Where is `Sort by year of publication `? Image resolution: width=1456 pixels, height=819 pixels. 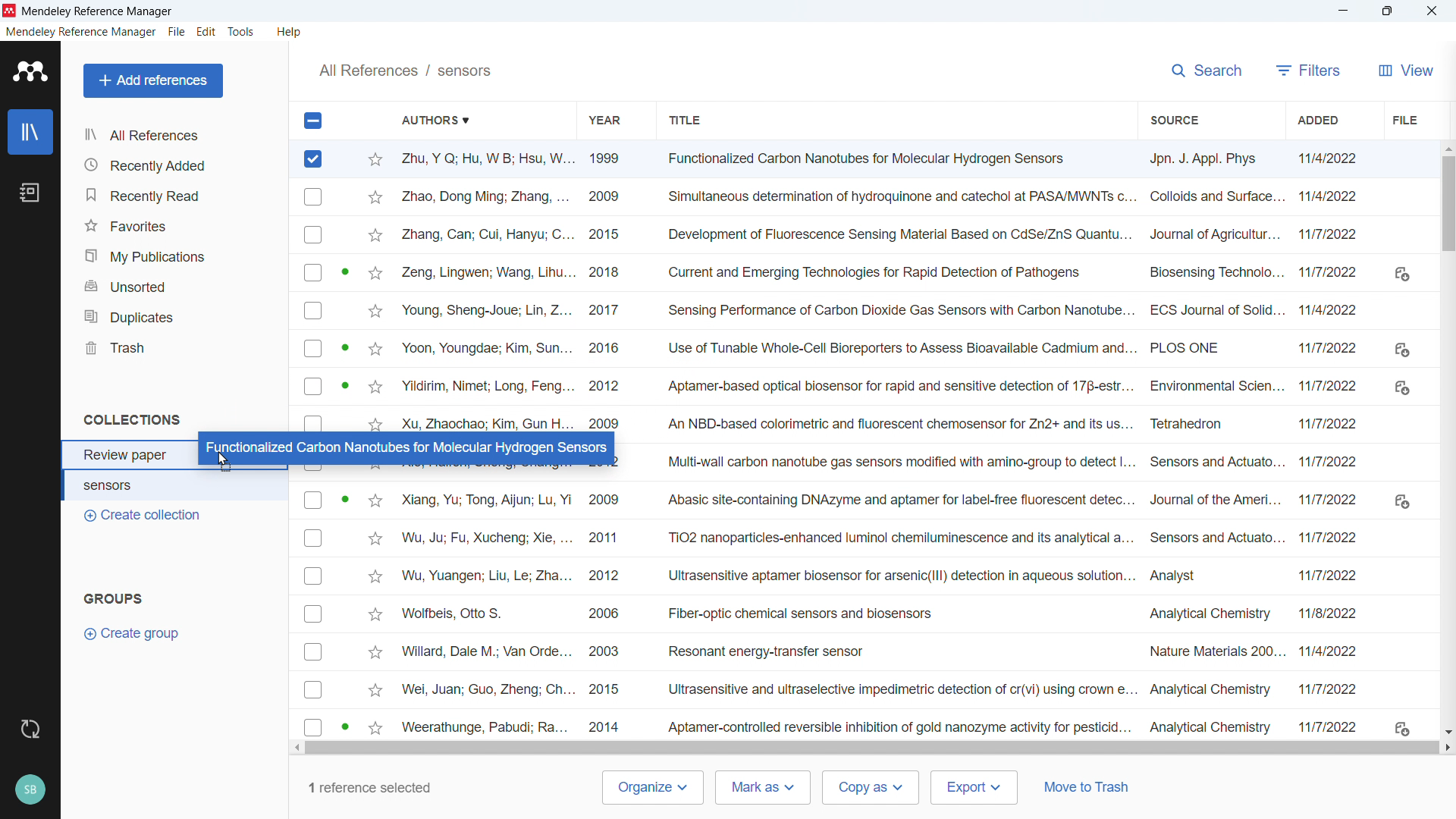
Sort by year of publication  is located at coordinates (604, 119).